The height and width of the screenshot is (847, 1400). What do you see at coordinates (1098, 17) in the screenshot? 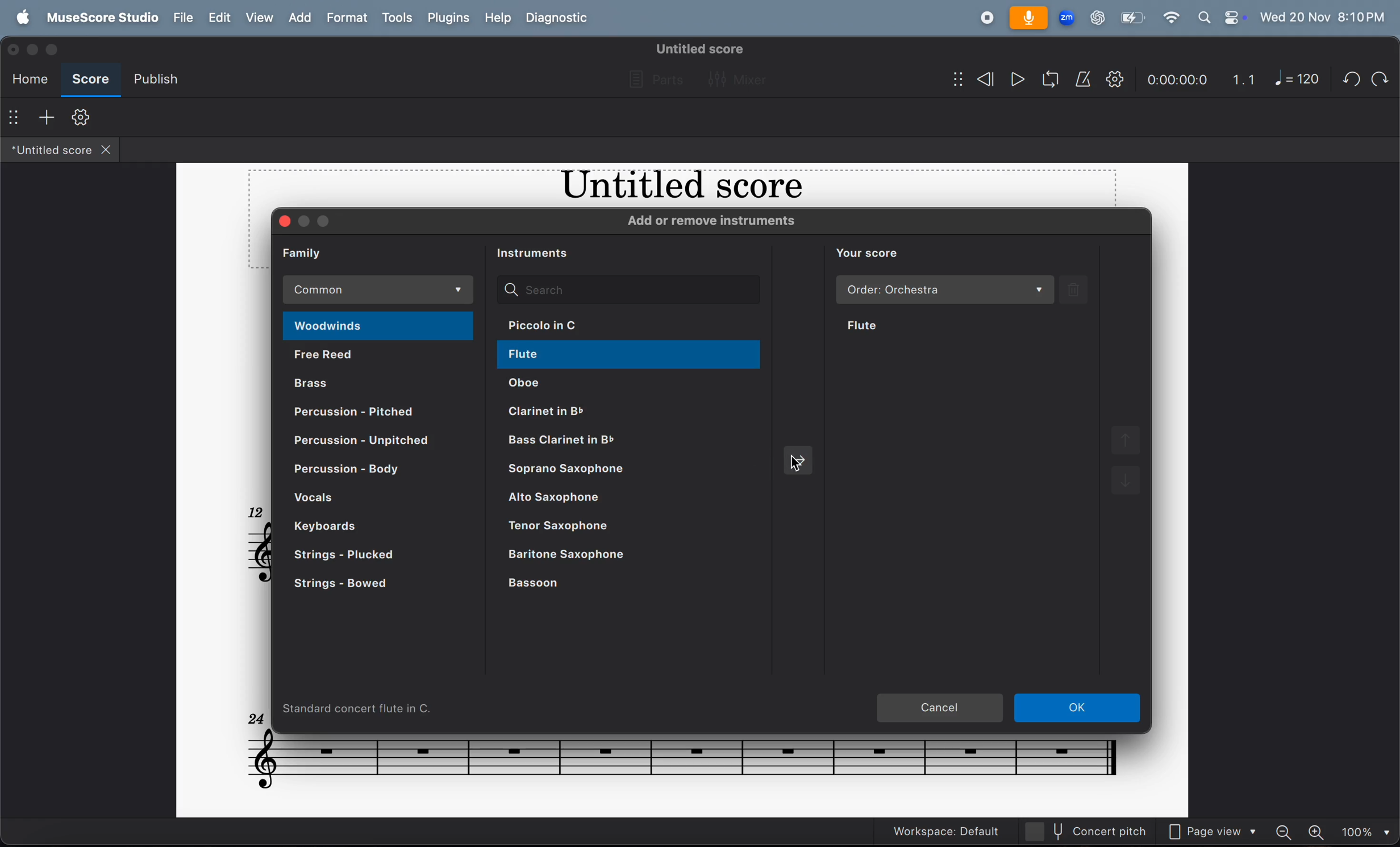
I see `chatgpt` at bounding box center [1098, 17].